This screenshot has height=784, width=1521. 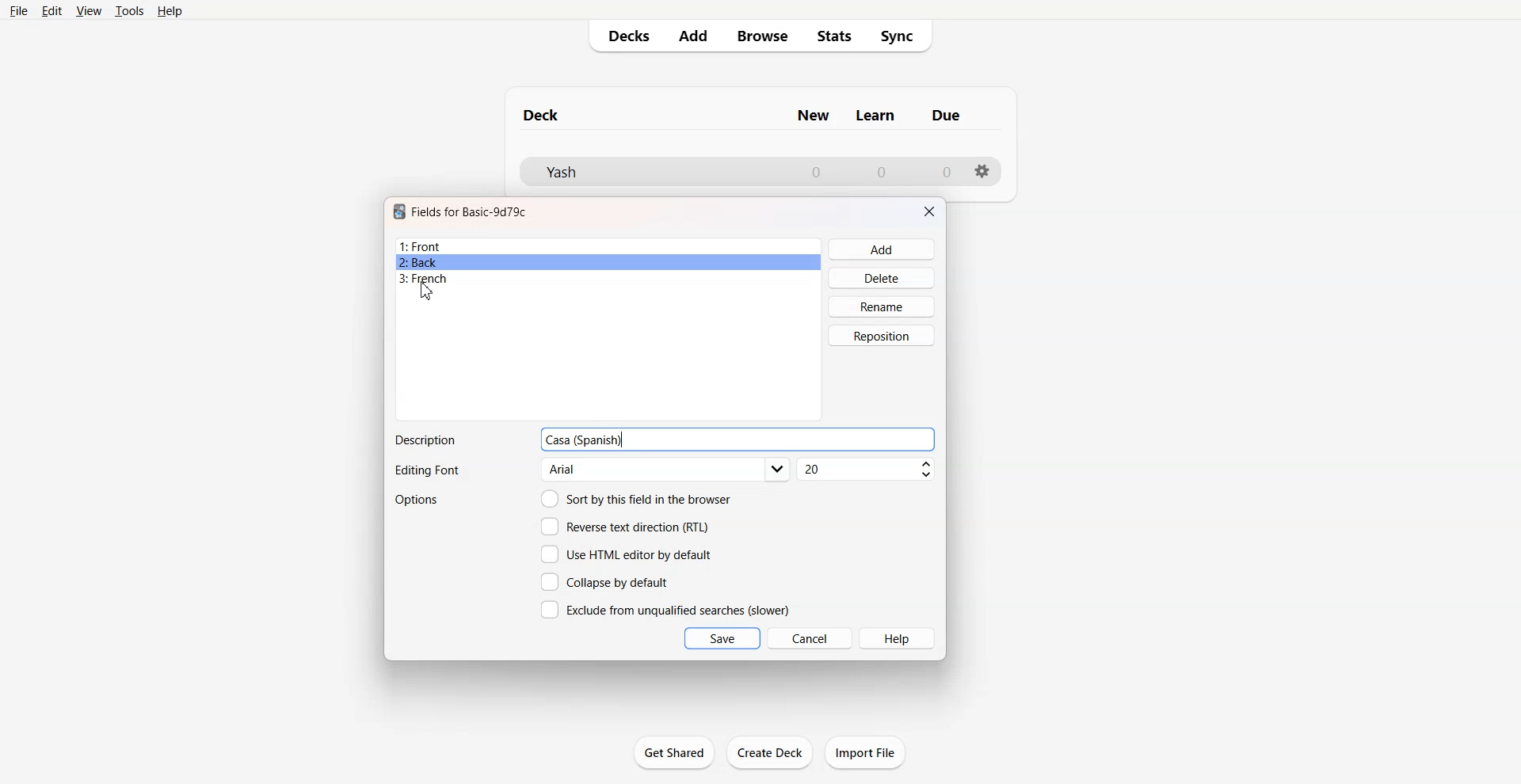 I want to click on Close, so click(x=929, y=211).